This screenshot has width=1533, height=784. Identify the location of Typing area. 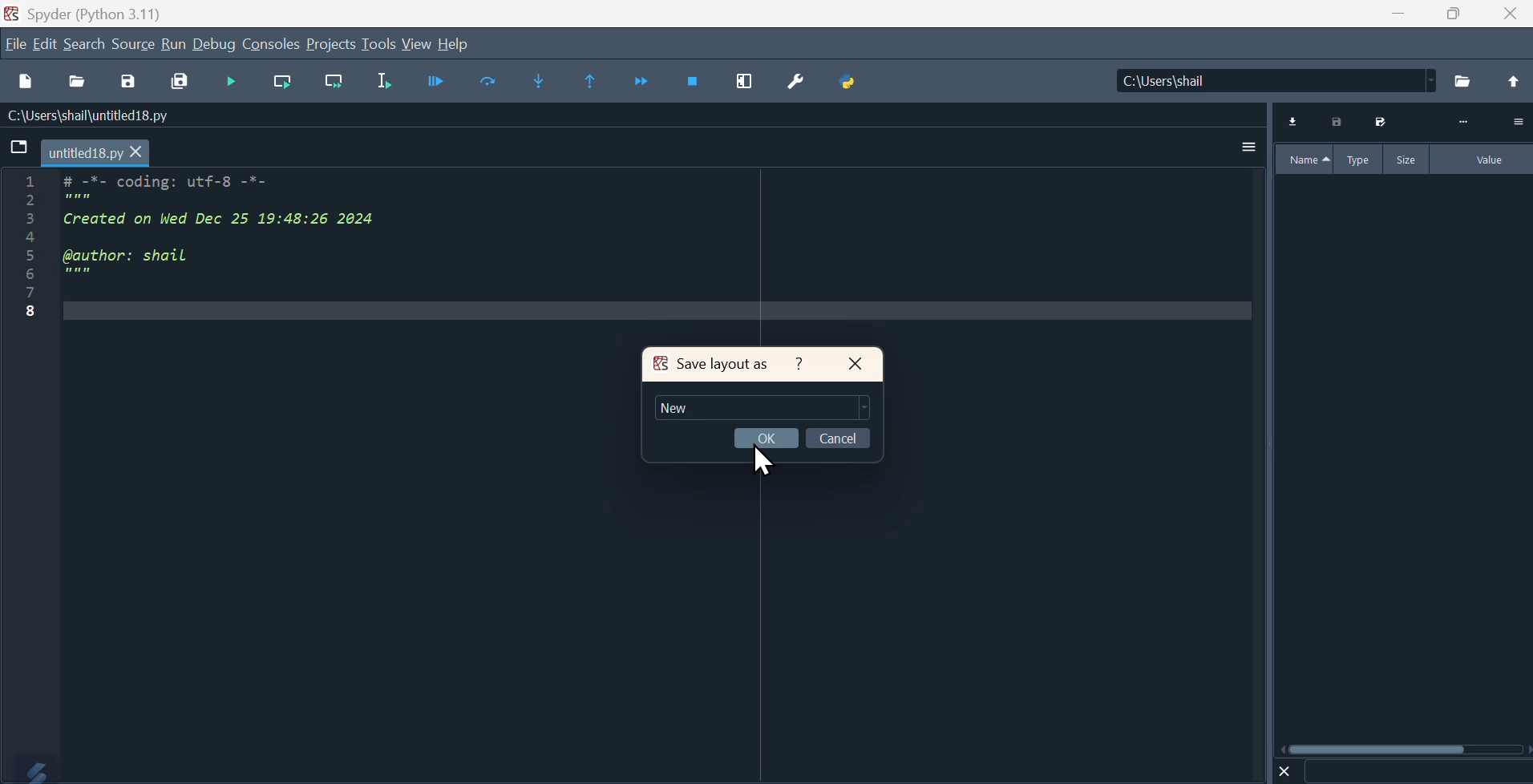
(762, 407).